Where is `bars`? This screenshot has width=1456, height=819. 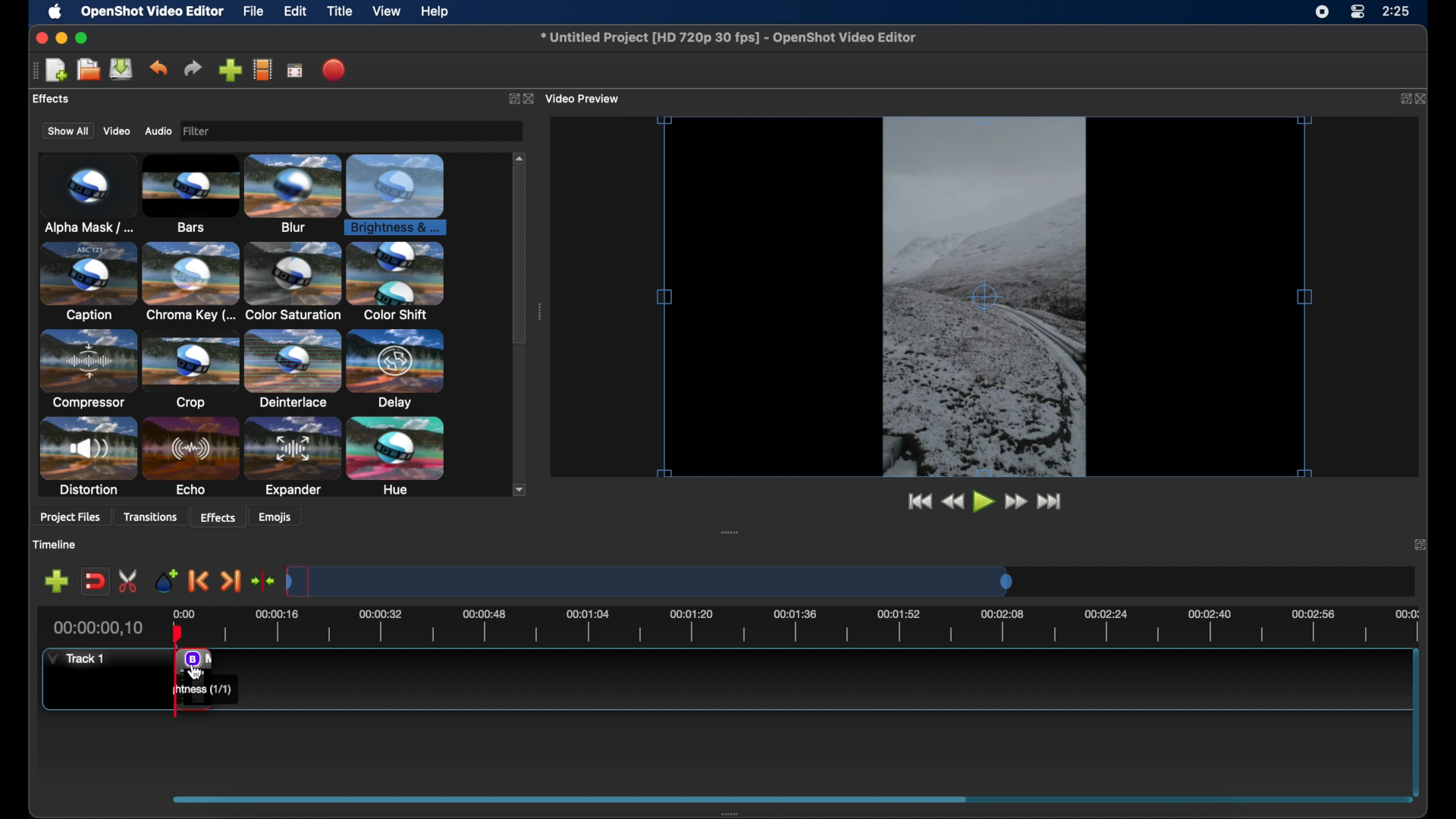 bars is located at coordinates (191, 192).